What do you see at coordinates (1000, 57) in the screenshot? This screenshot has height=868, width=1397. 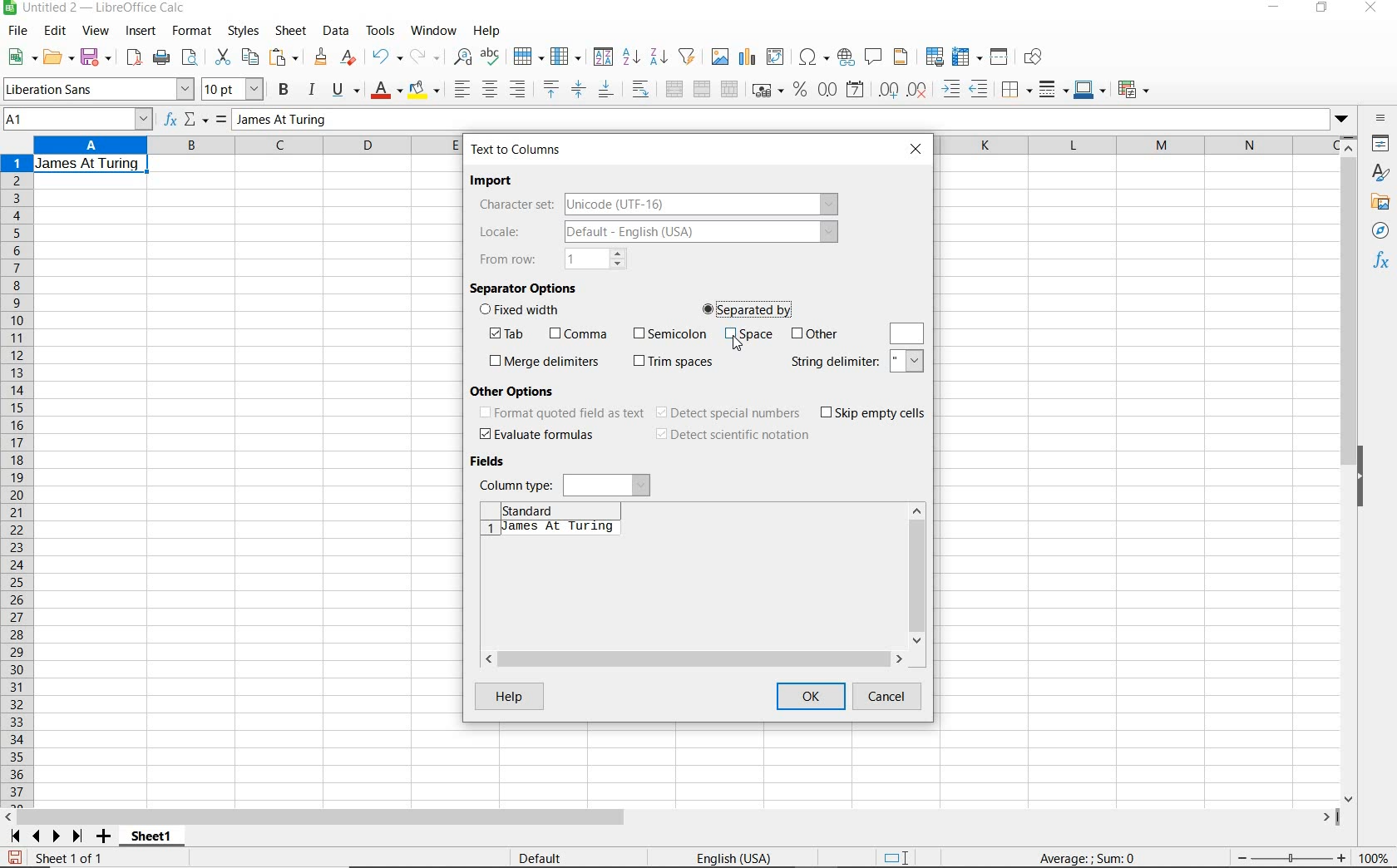 I see `split window` at bounding box center [1000, 57].